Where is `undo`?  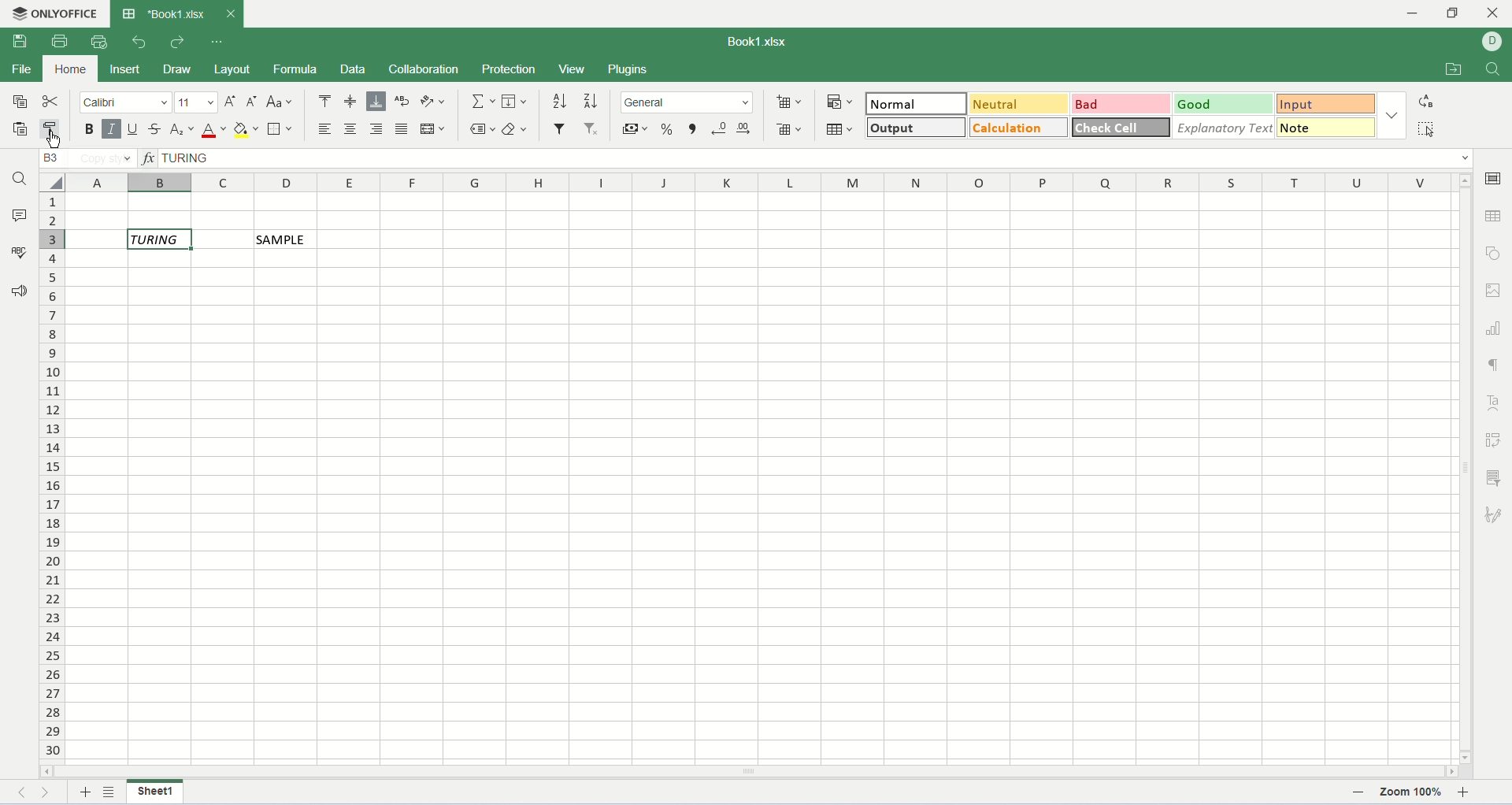 undo is located at coordinates (140, 43).